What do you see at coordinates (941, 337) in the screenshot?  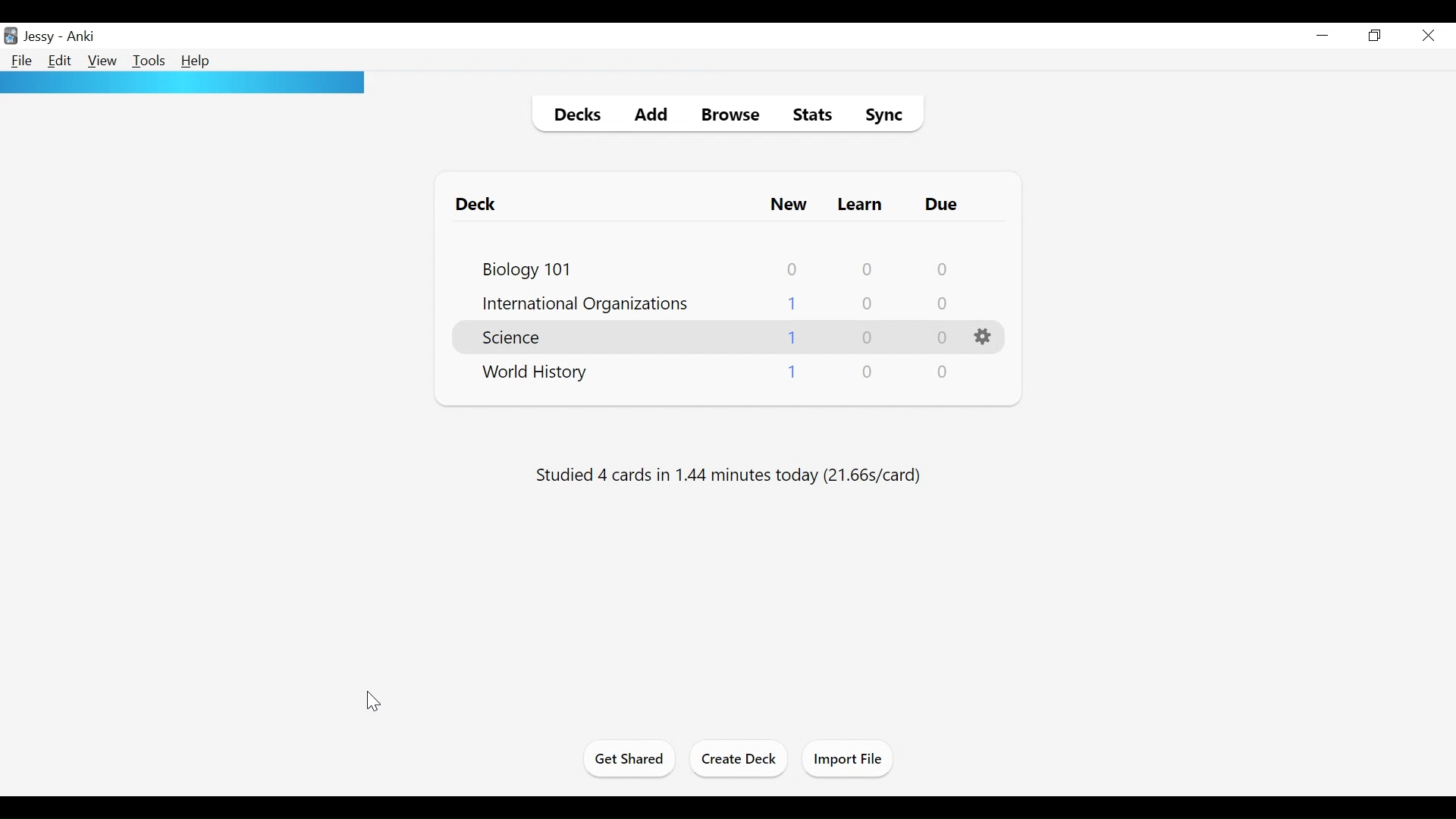 I see `Due Cards Count` at bounding box center [941, 337].